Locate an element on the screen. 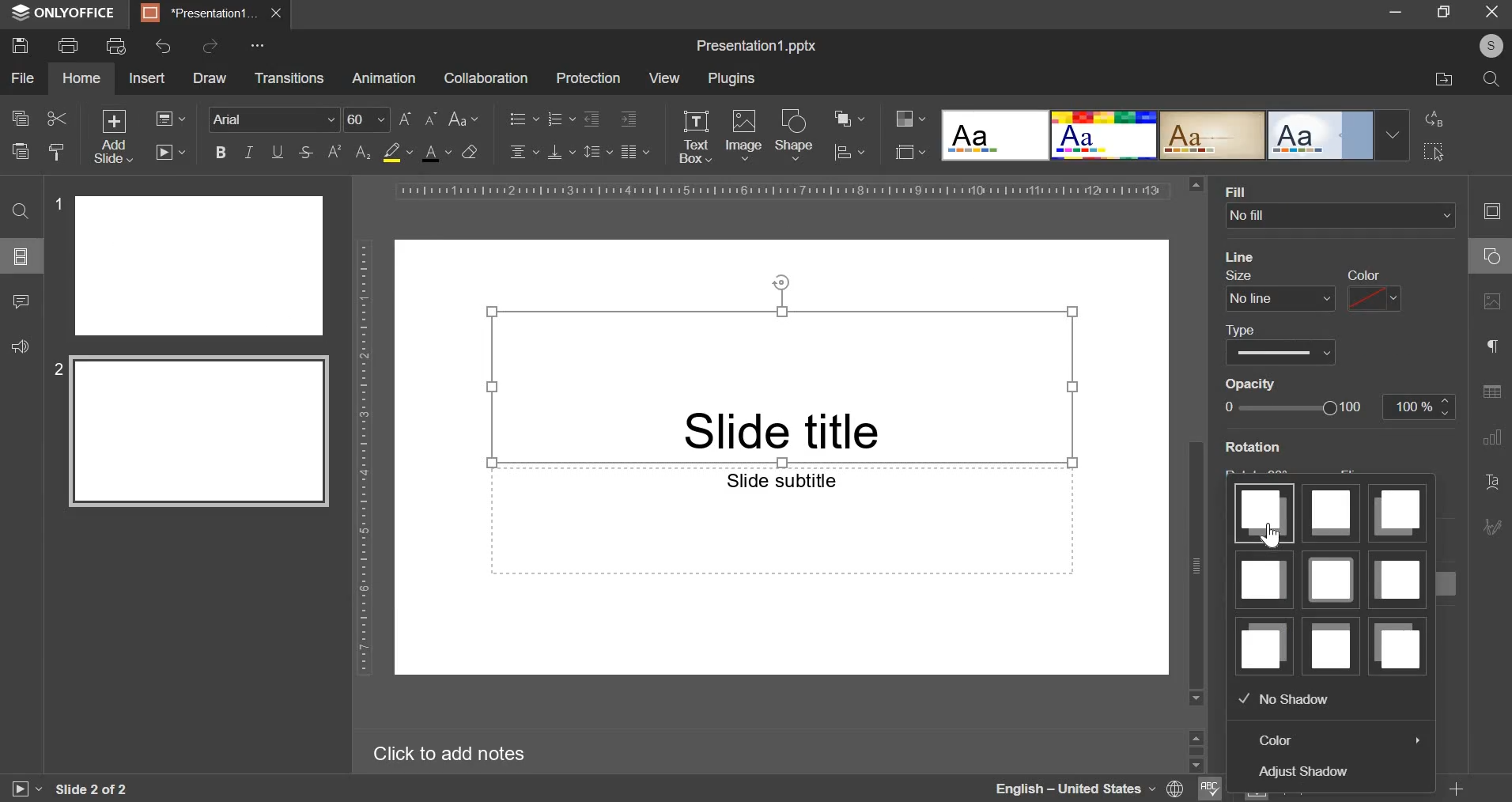 Image resolution: width=1512 pixels, height=802 pixels. slide menu is located at coordinates (19, 255).